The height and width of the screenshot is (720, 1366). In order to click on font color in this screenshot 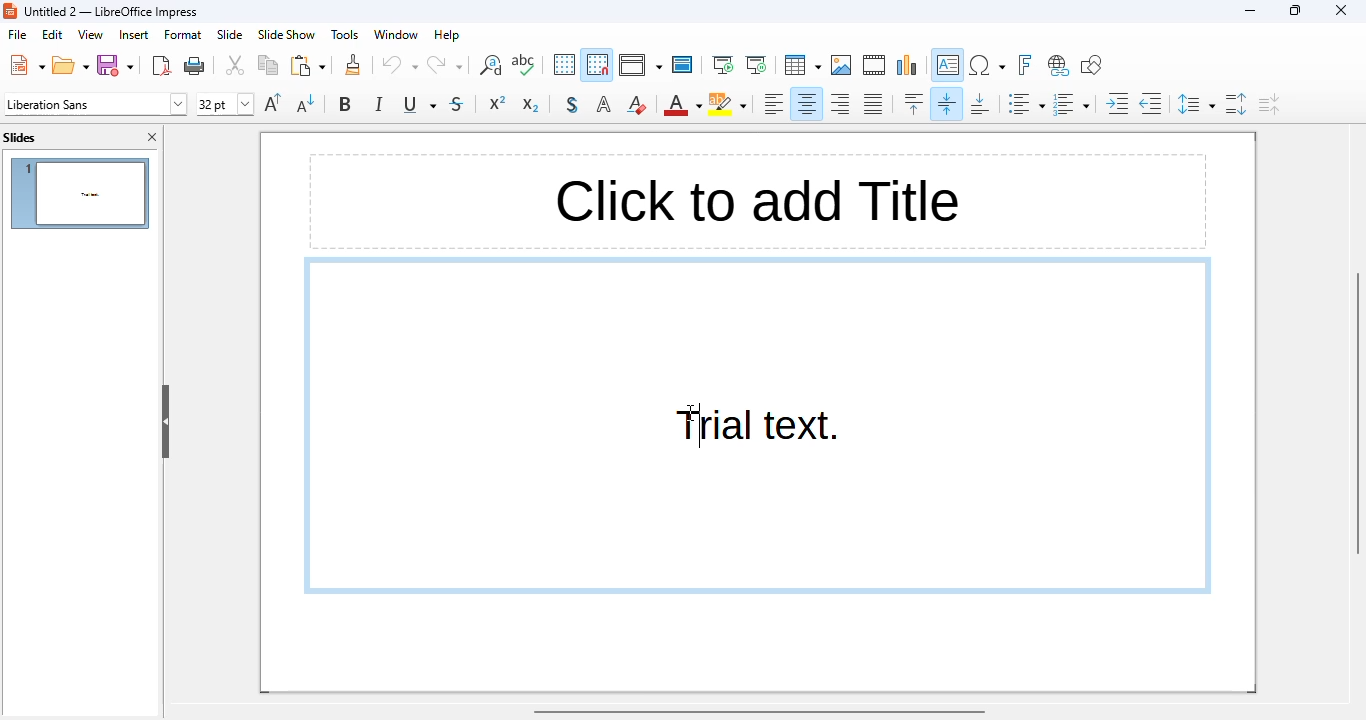, I will do `click(682, 106)`.